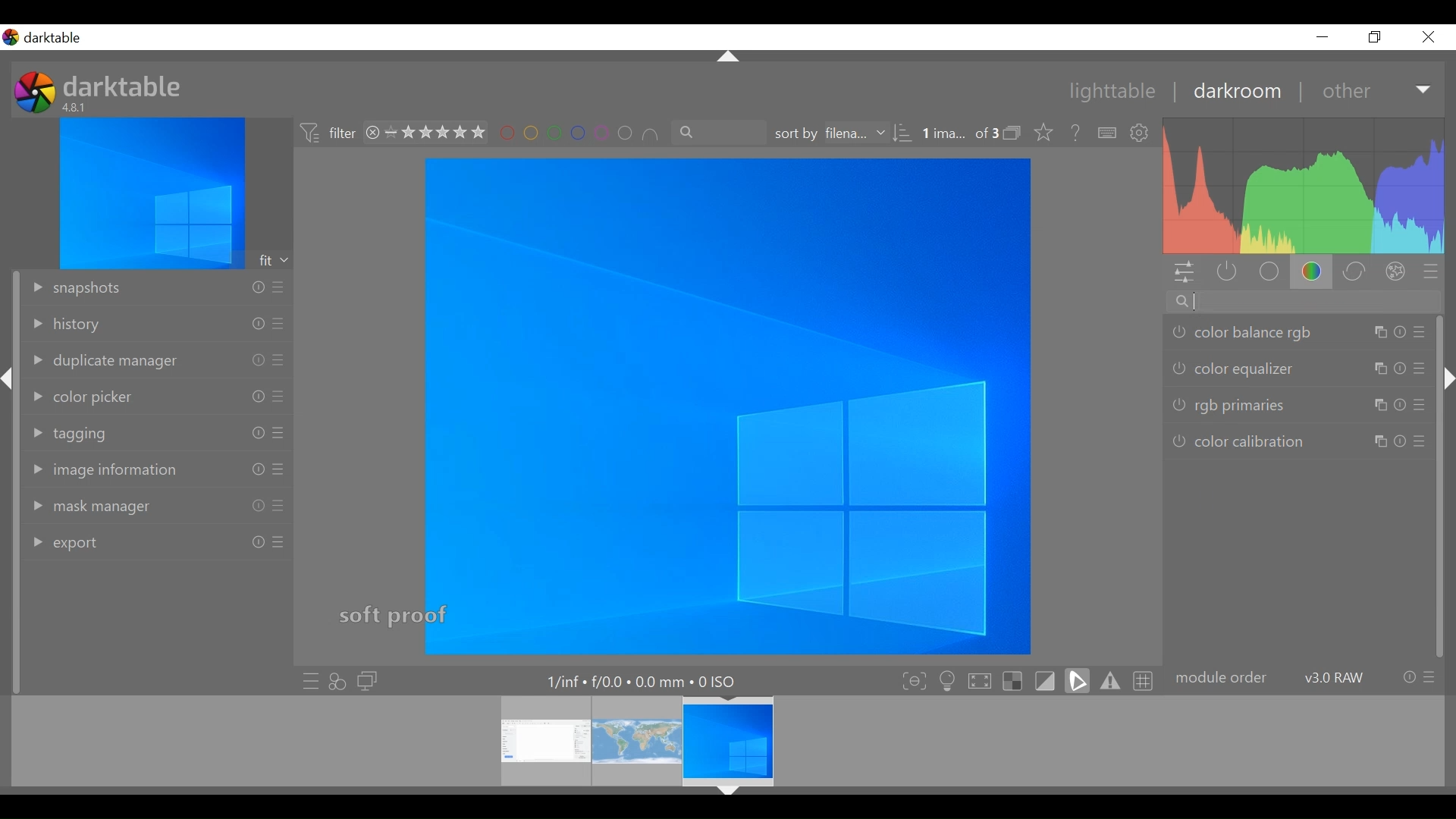 The width and height of the screenshot is (1456, 819). Describe the element at coordinates (1229, 274) in the screenshot. I see `show only active modules` at that location.